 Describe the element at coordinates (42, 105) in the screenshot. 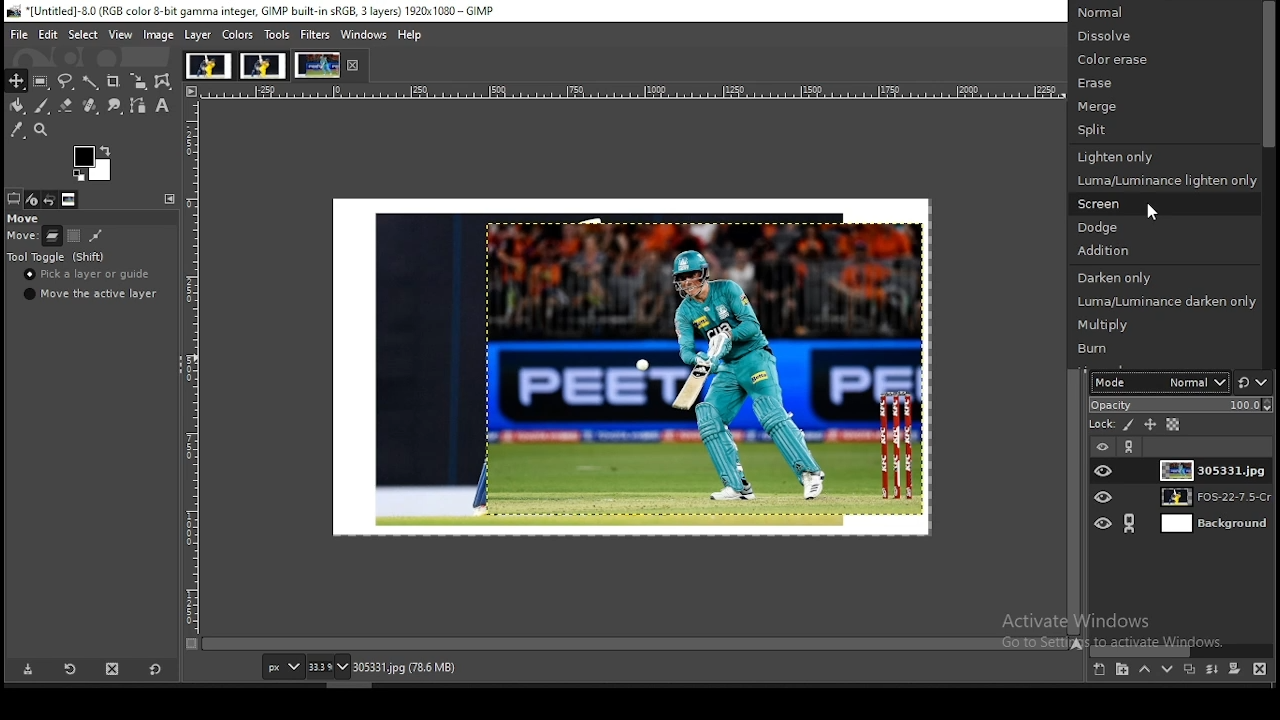

I see ` paint brushtool` at that location.